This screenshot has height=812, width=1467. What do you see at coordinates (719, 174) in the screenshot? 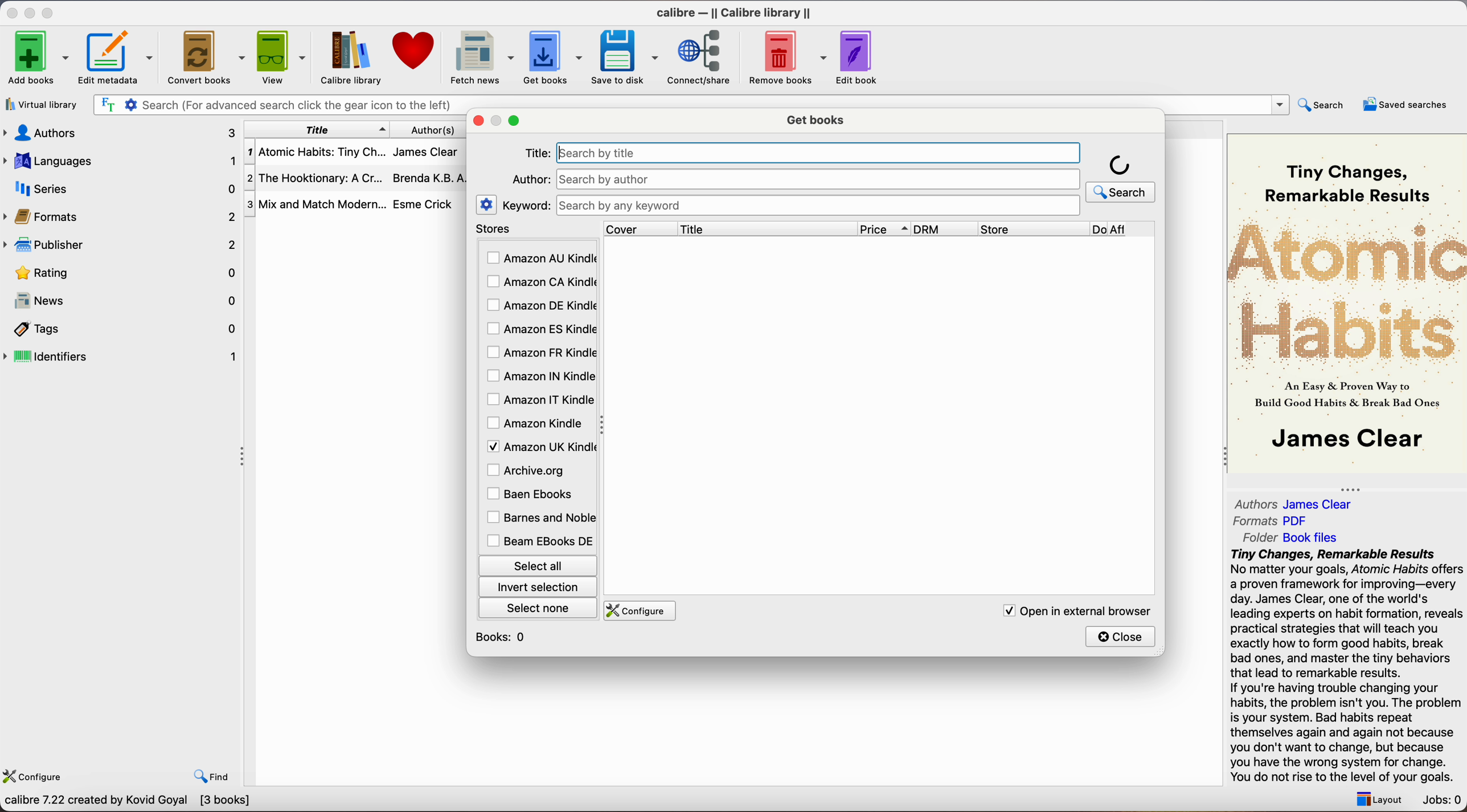
I see `cursor` at bounding box center [719, 174].